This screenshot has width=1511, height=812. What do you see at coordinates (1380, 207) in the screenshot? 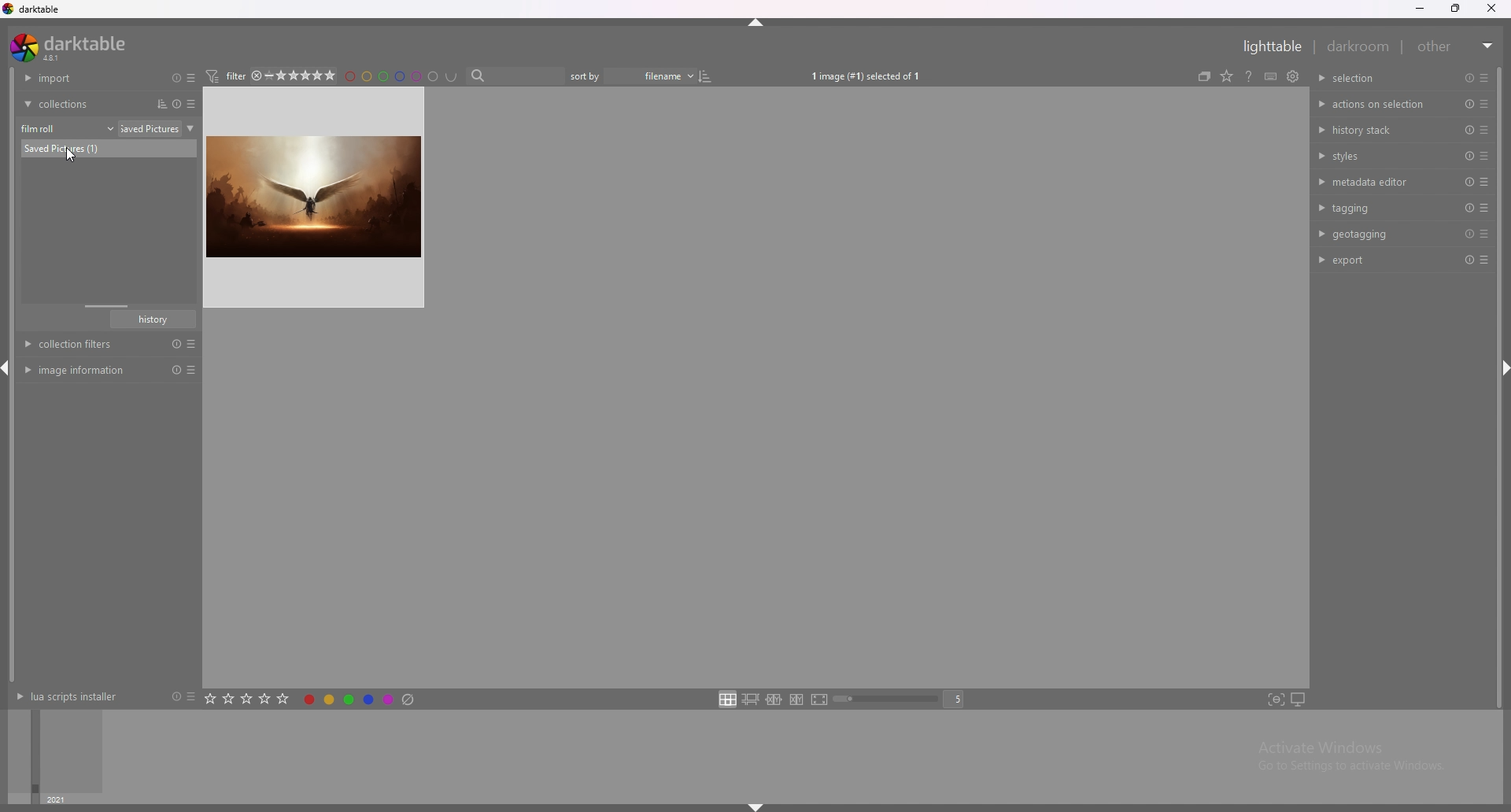
I see `tagging` at bounding box center [1380, 207].